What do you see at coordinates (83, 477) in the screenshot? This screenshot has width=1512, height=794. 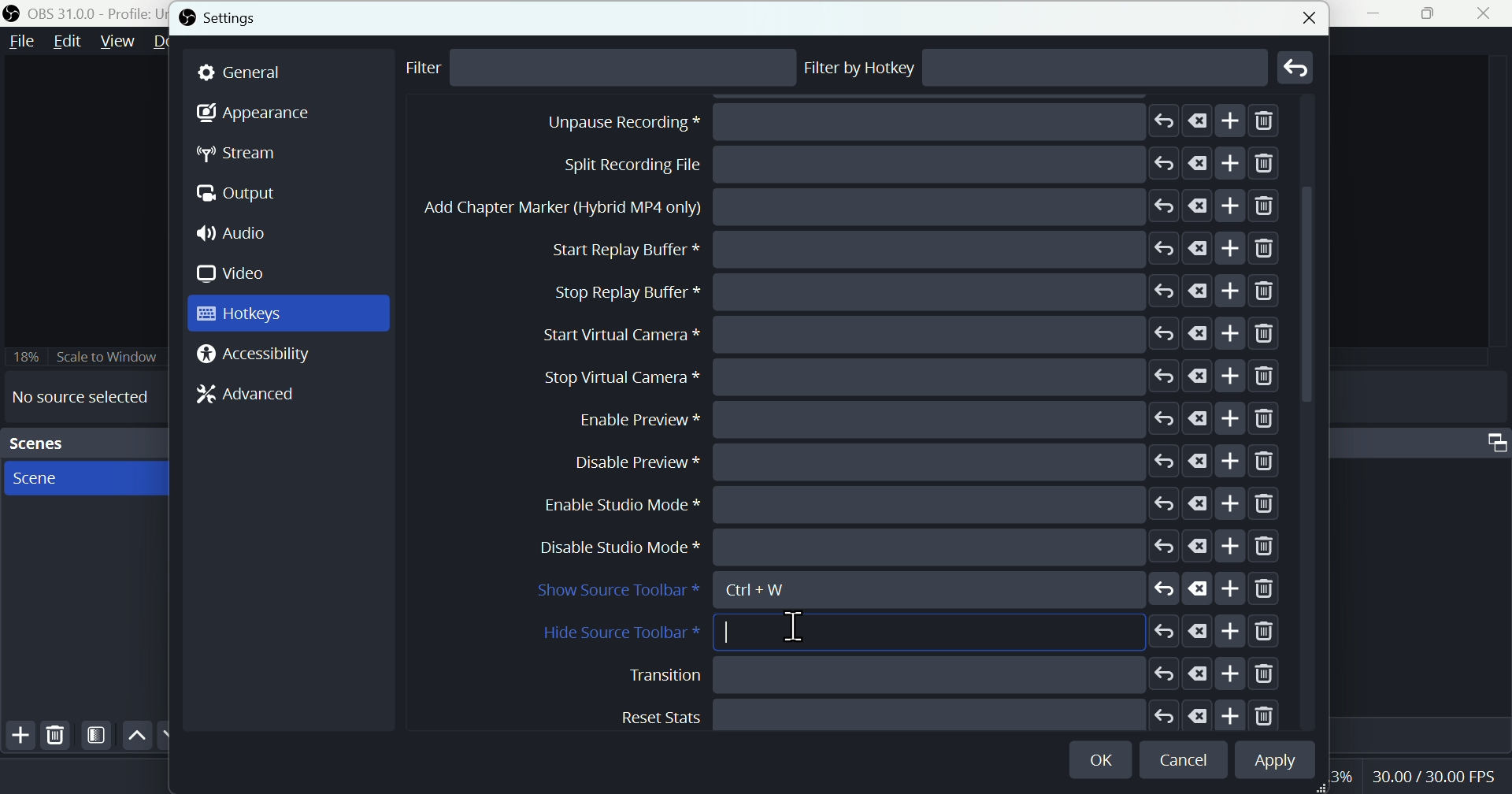 I see `scenes` at bounding box center [83, 477].